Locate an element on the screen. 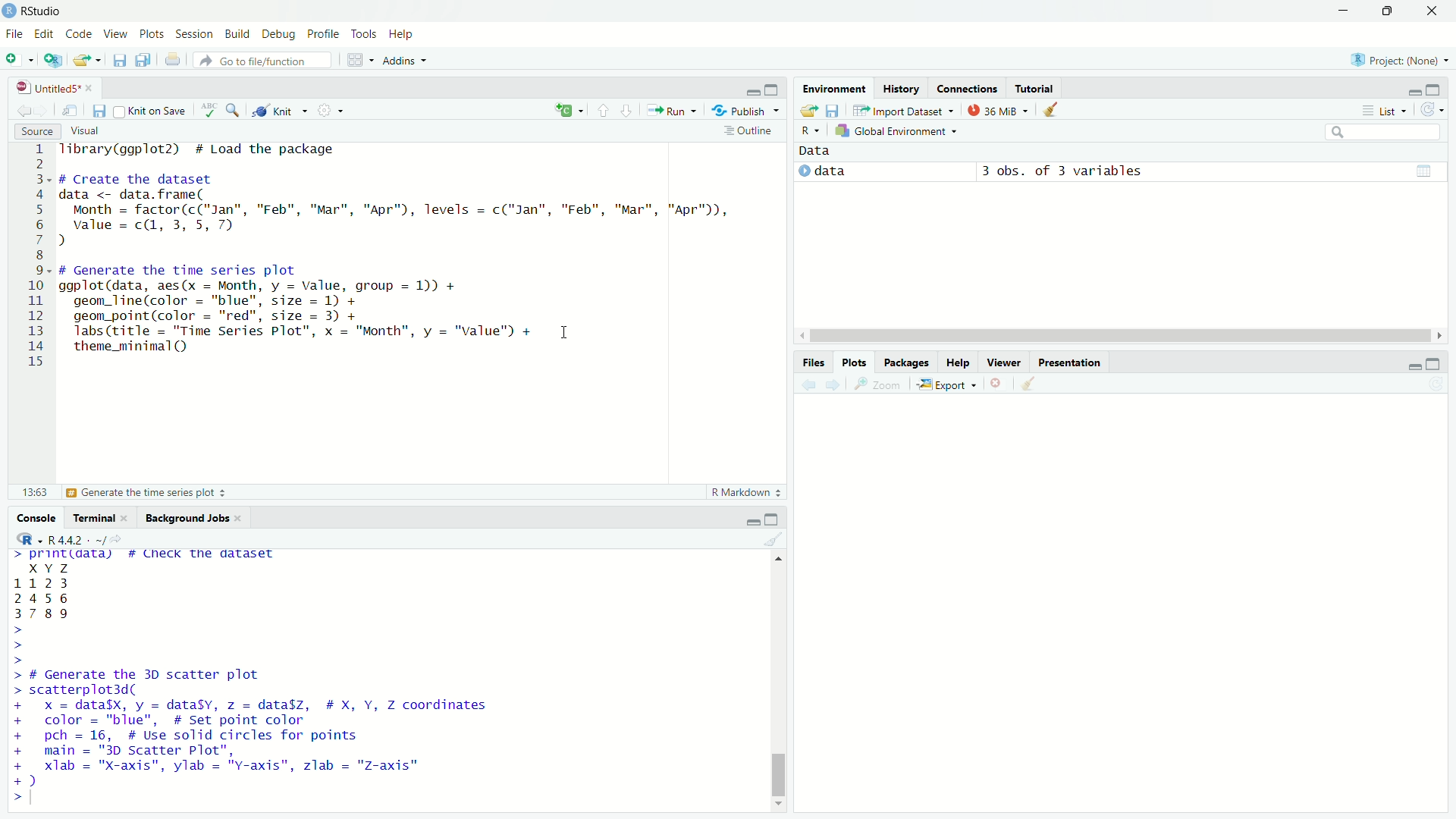 The height and width of the screenshot is (819, 1456). Generate the time series plot is located at coordinates (146, 494).